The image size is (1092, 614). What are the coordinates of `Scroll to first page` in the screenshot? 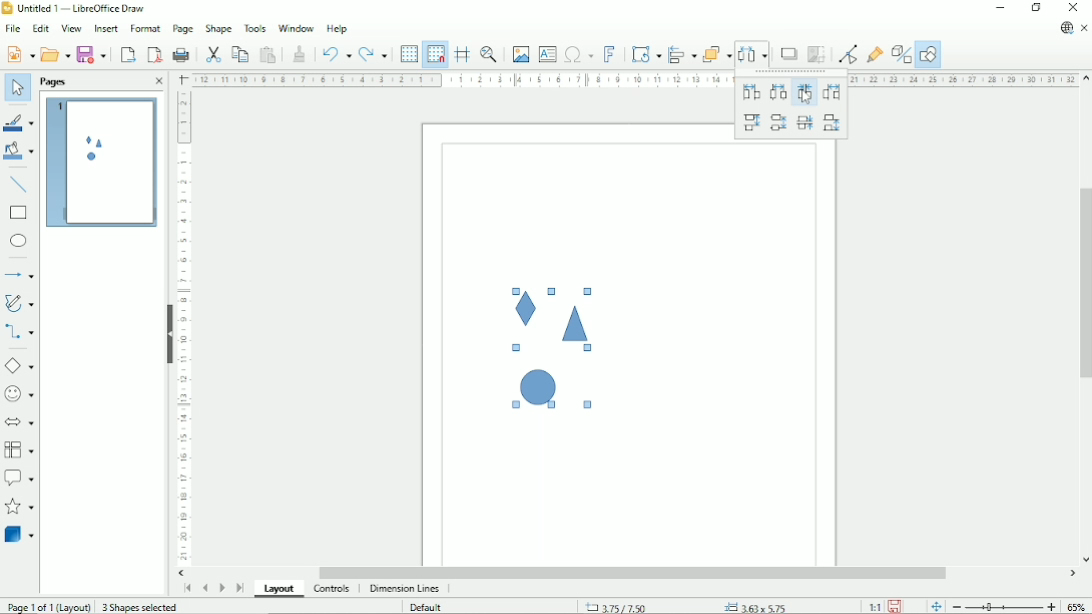 It's located at (186, 589).